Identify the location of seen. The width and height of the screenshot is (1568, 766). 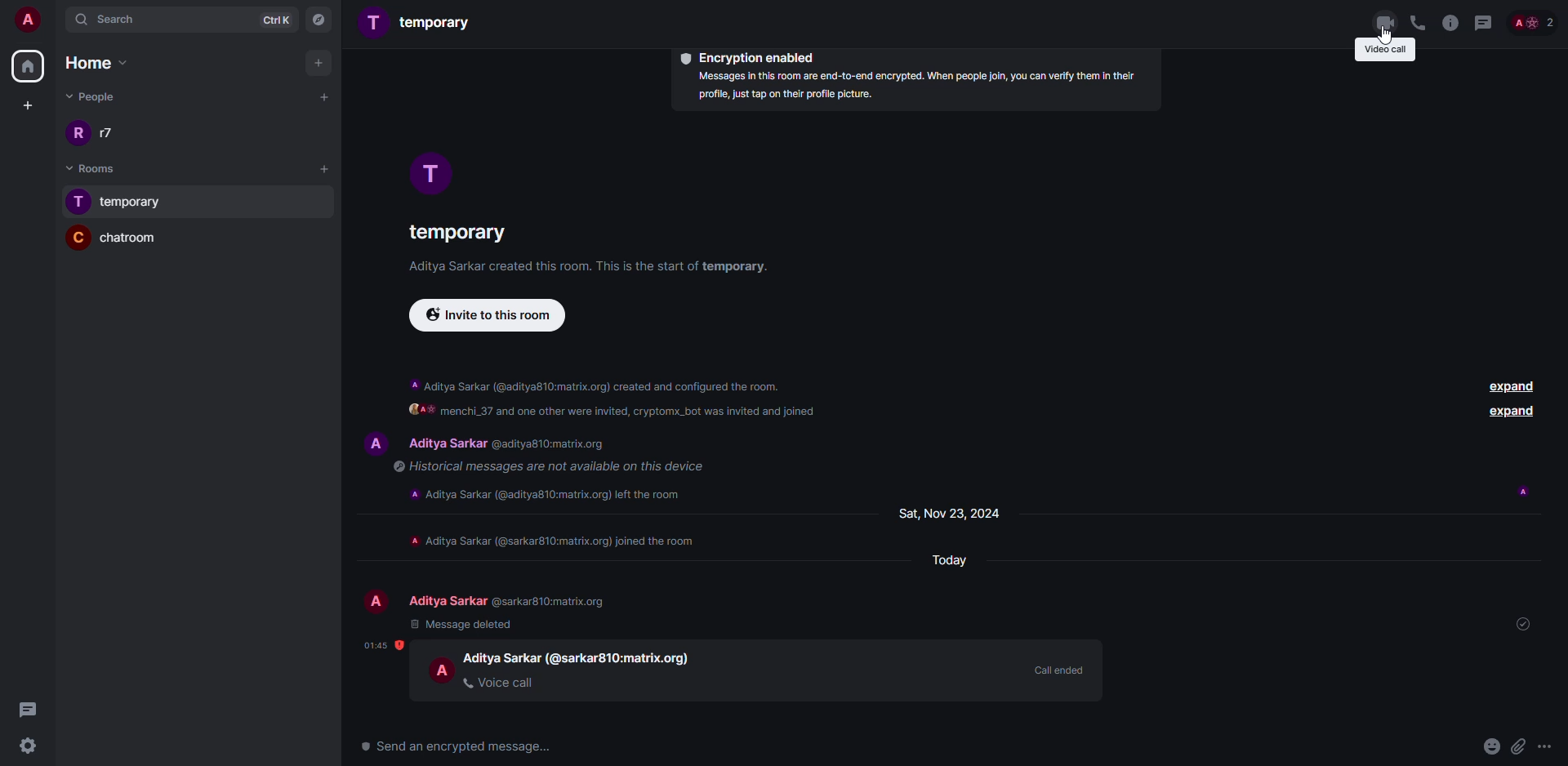
(1523, 492).